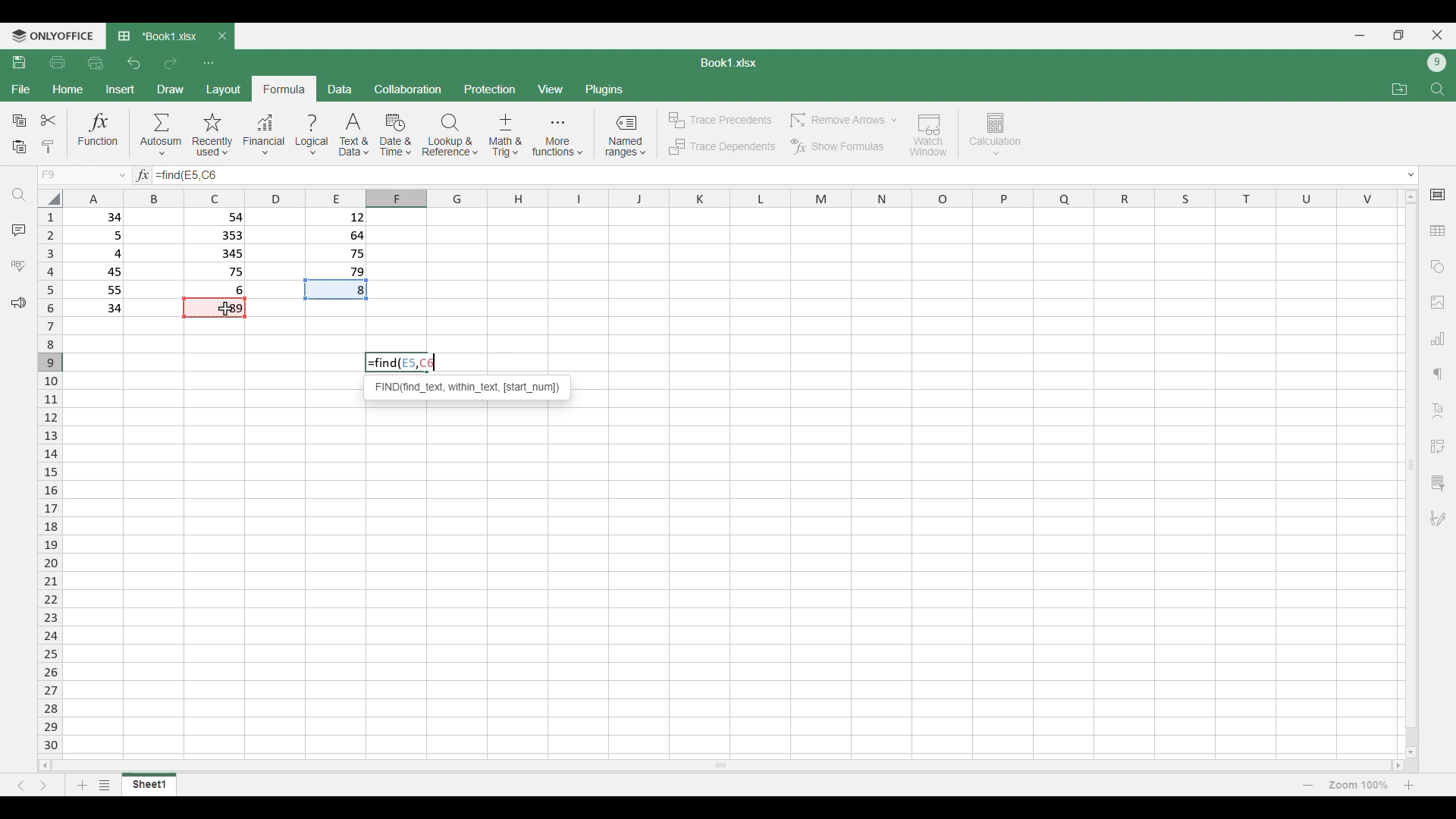 The height and width of the screenshot is (819, 1456). Describe the element at coordinates (162, 133) in the screenshot. I see `Autosum` at that location.